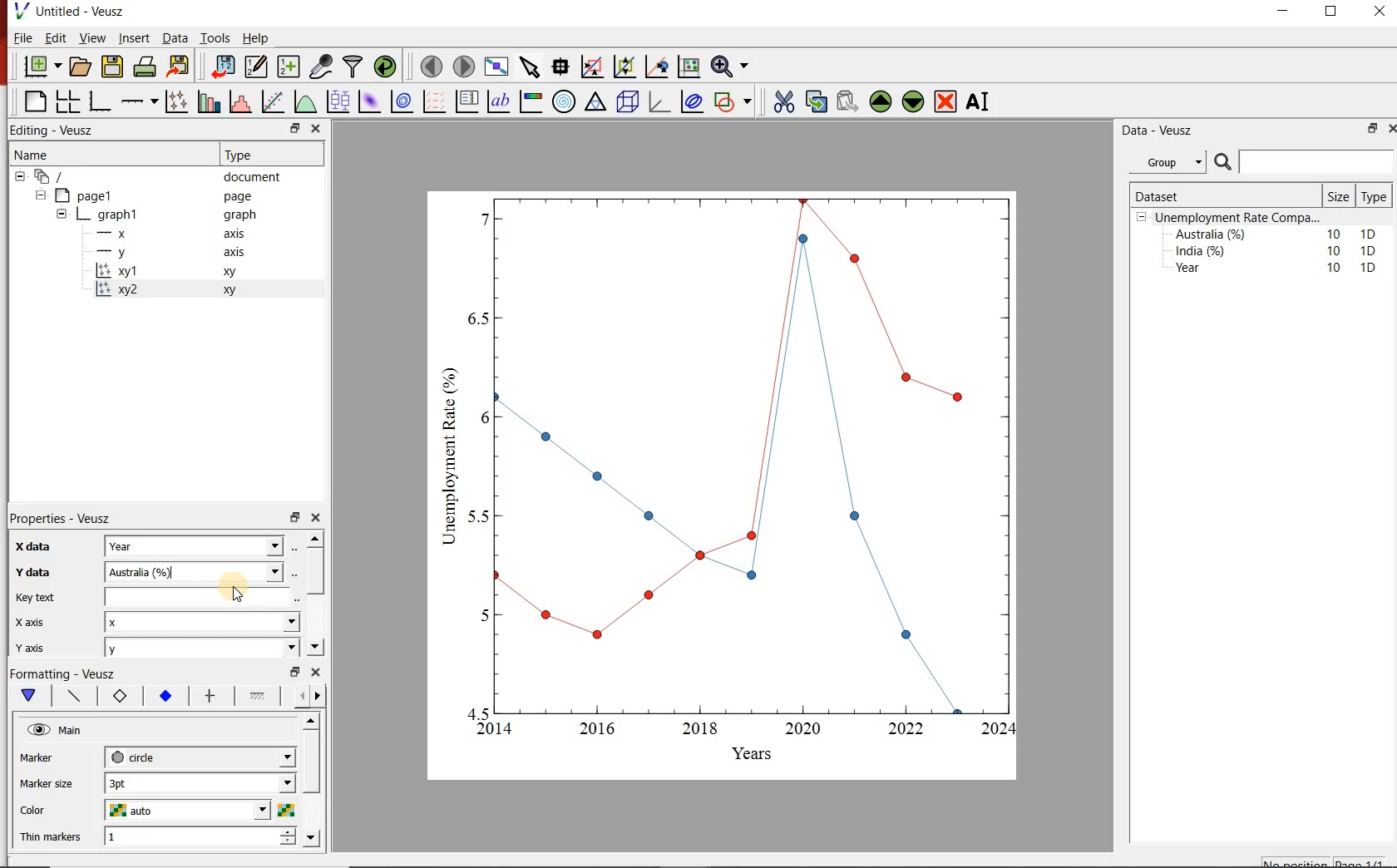 This screenshot has width=1397, height=868. What do you see at coordinates (305, 101) in the screenshot?
I see `plot a function` at bounding box center [305, 101].